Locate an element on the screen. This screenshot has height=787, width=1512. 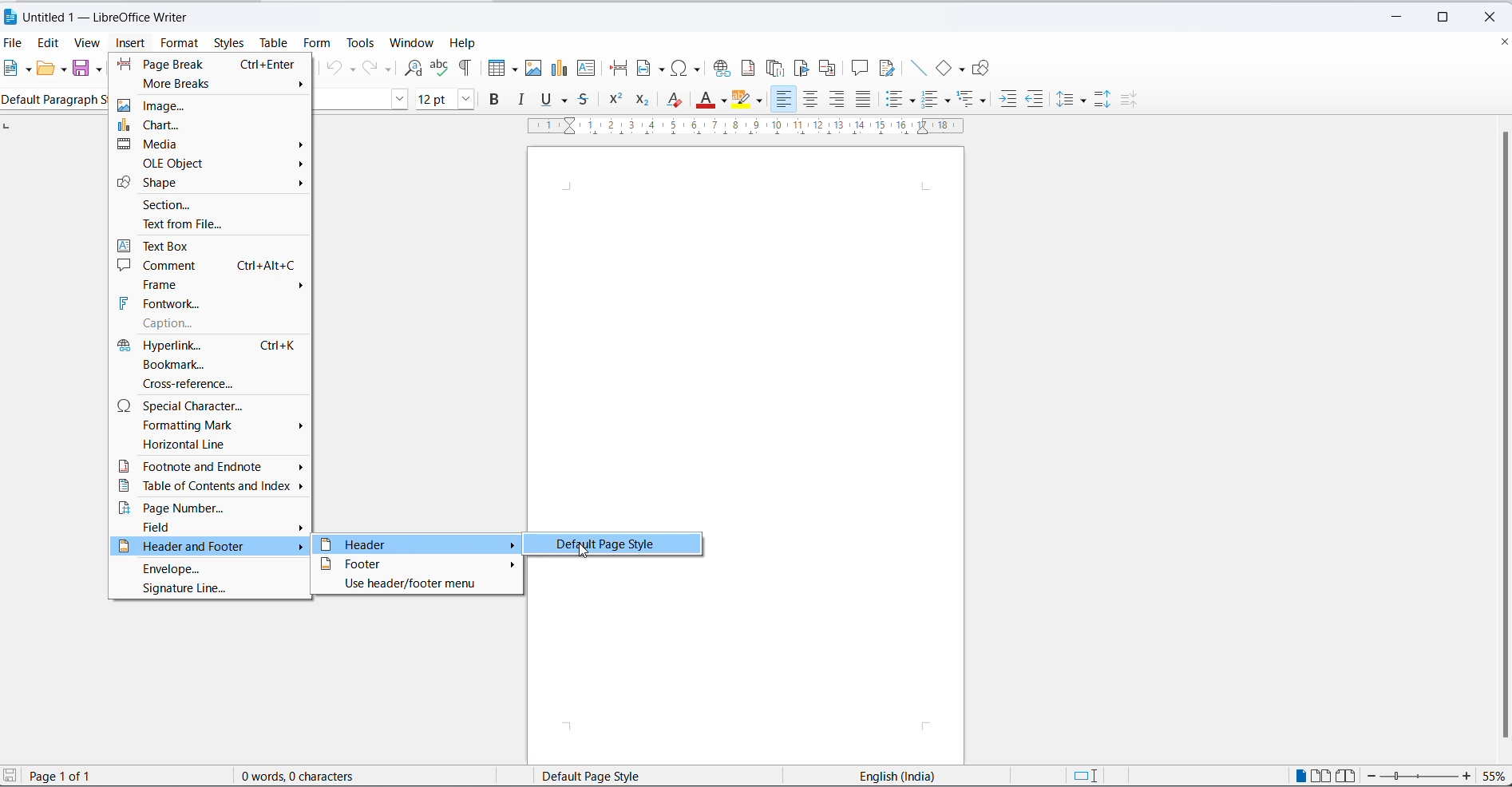
text align left is located at coordinates (784, 101).